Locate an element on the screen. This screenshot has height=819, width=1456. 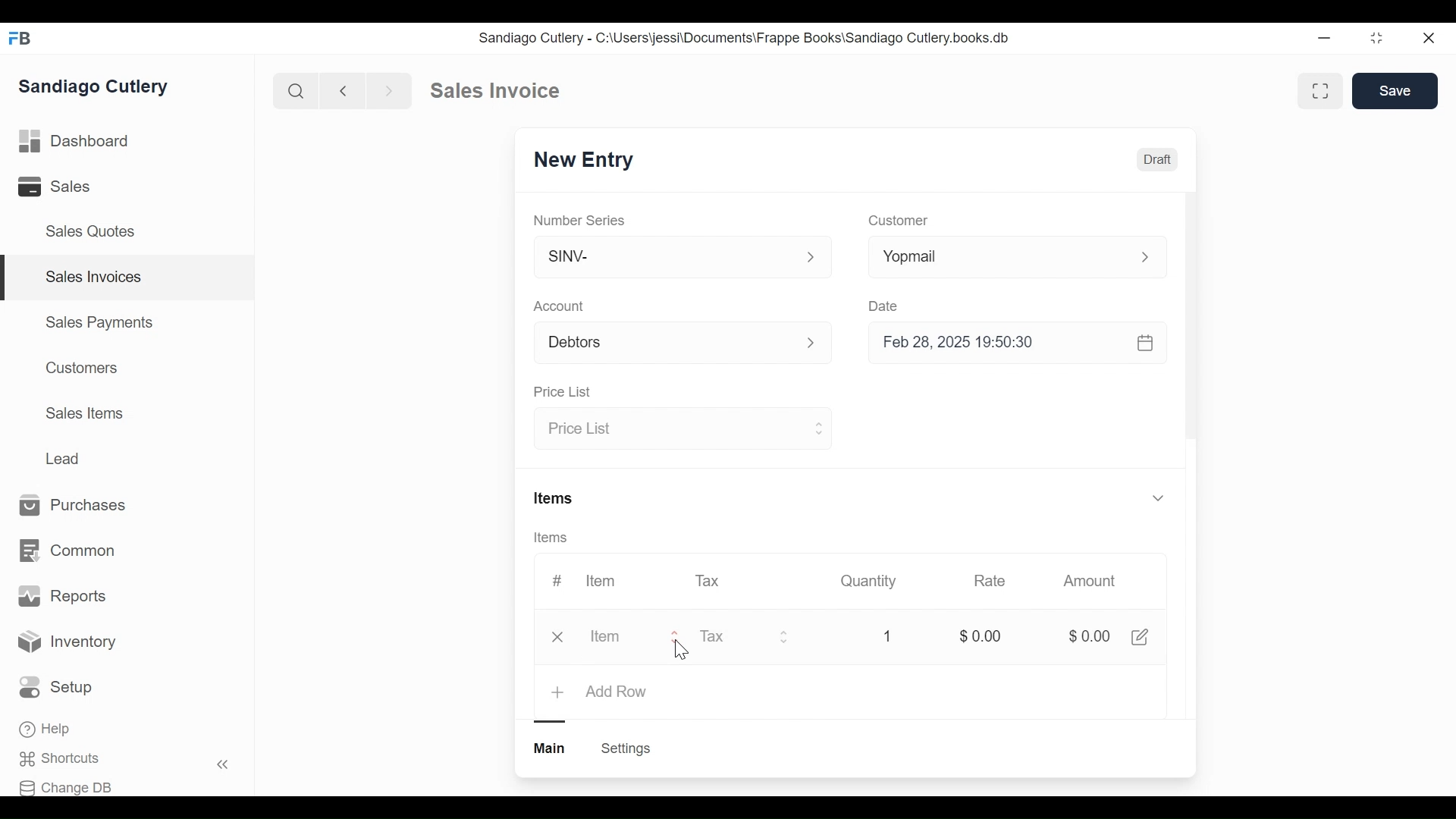
Shortcuts is located at coordinates (65, 759).